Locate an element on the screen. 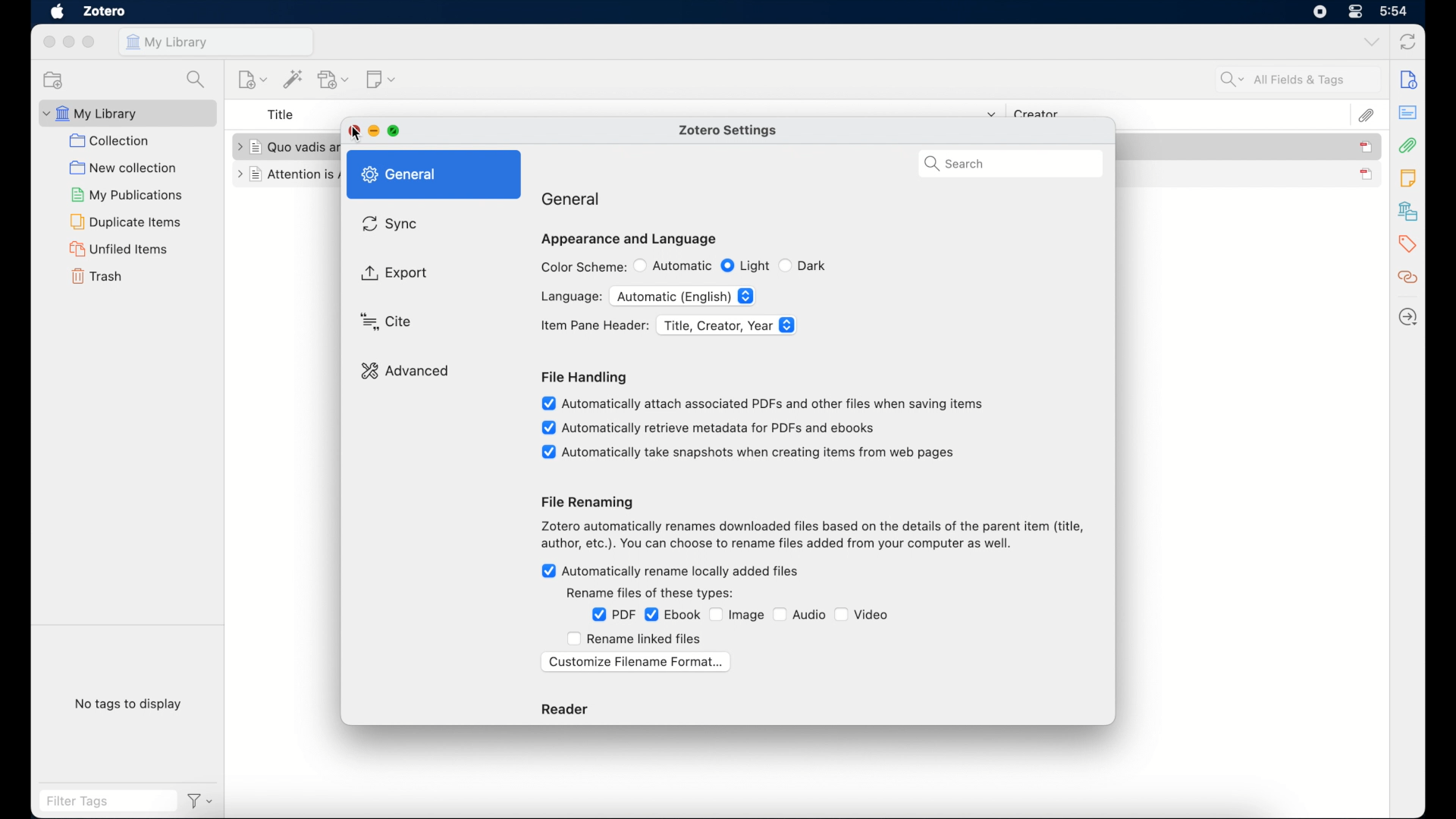 This screenshot has width=1456, height=819. new collection is located at coordinates (52, 80).